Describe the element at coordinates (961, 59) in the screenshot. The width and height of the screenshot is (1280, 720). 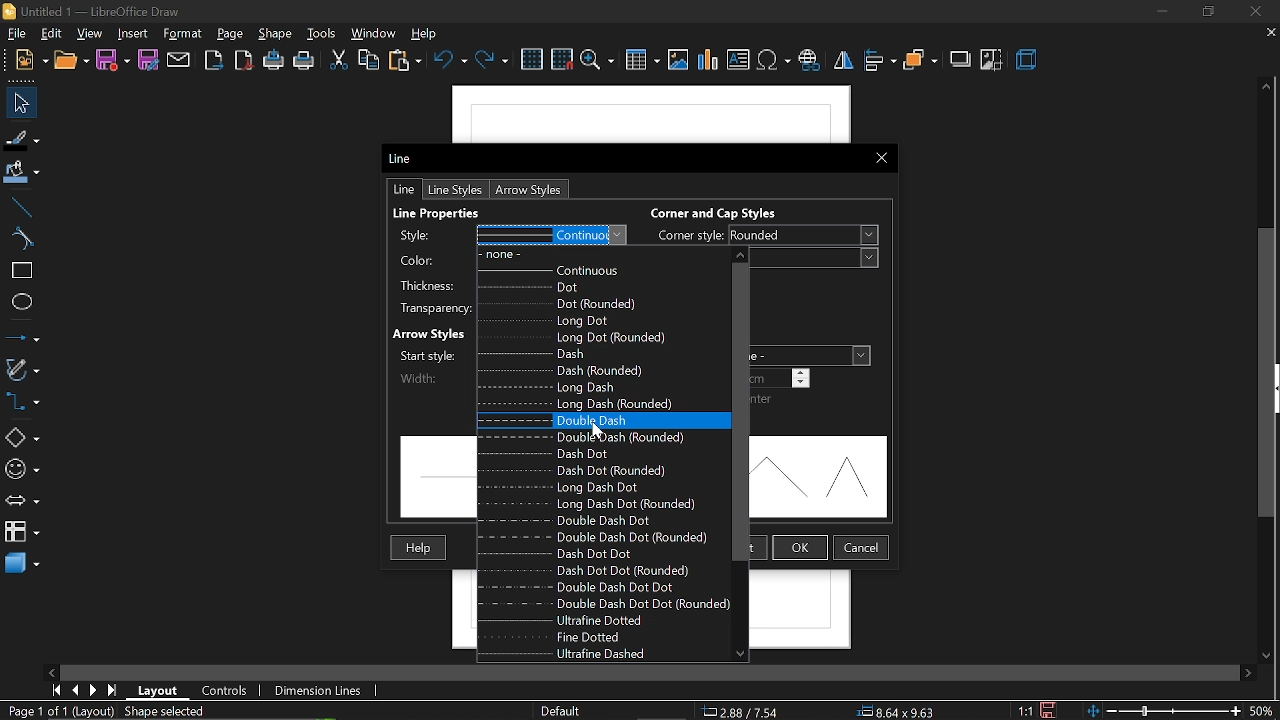
I see `shadow` at that location.